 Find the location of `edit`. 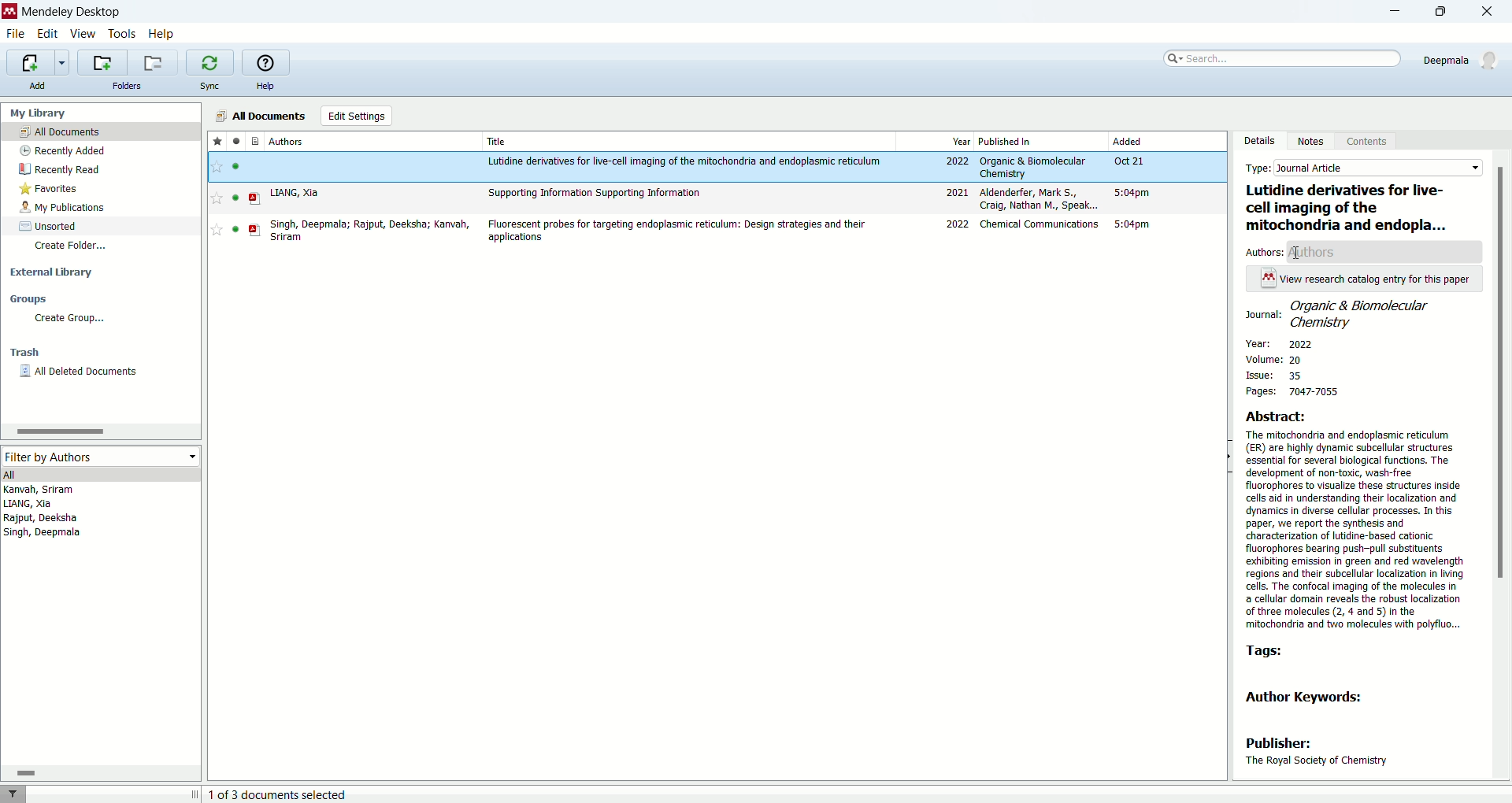

edit is located at coordinates (47, 35).